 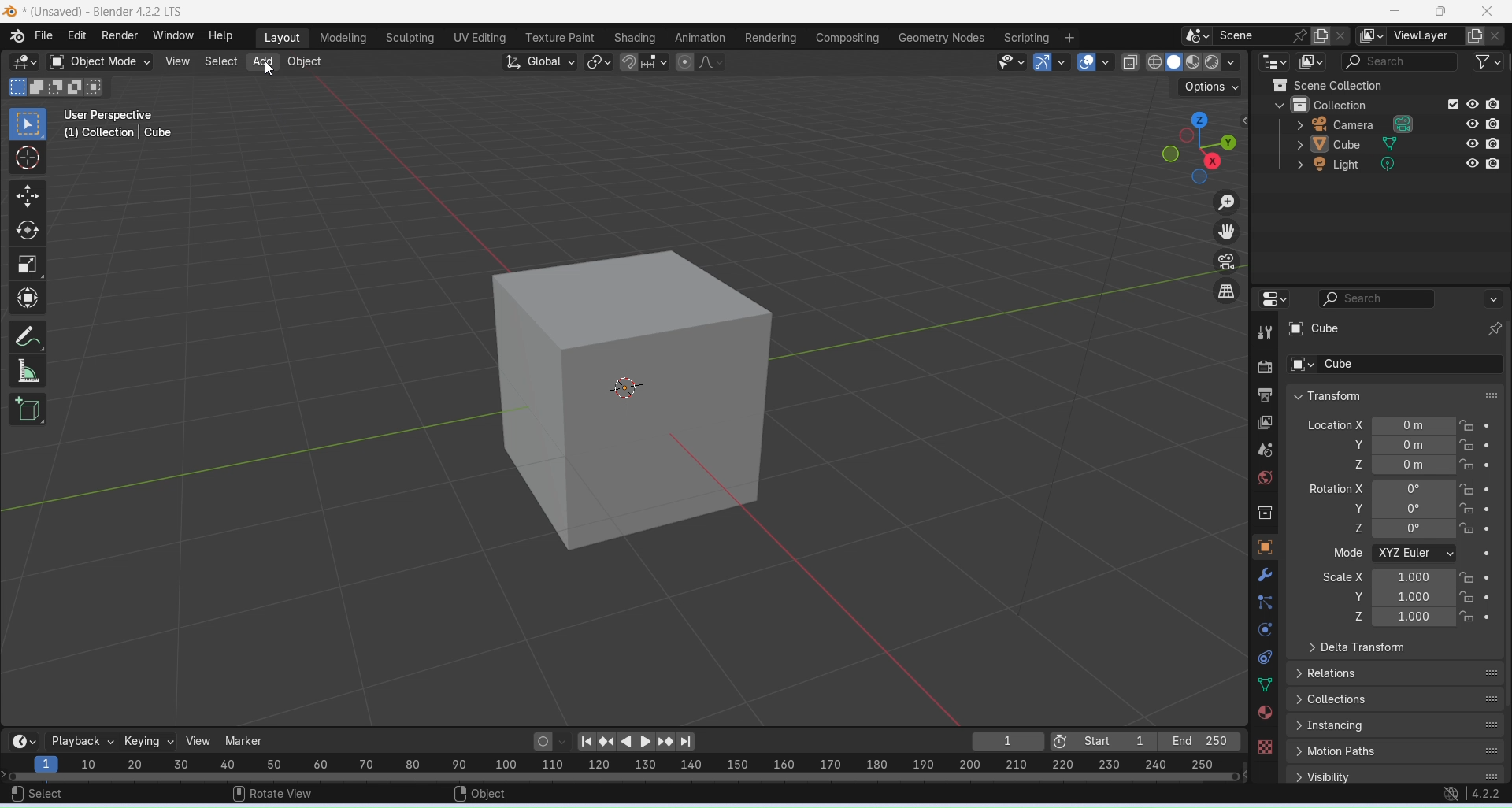 What do you see at coordinates (1435, 445) in the screenshot?
I see `Y axis` at bounding box center [1435, 445].